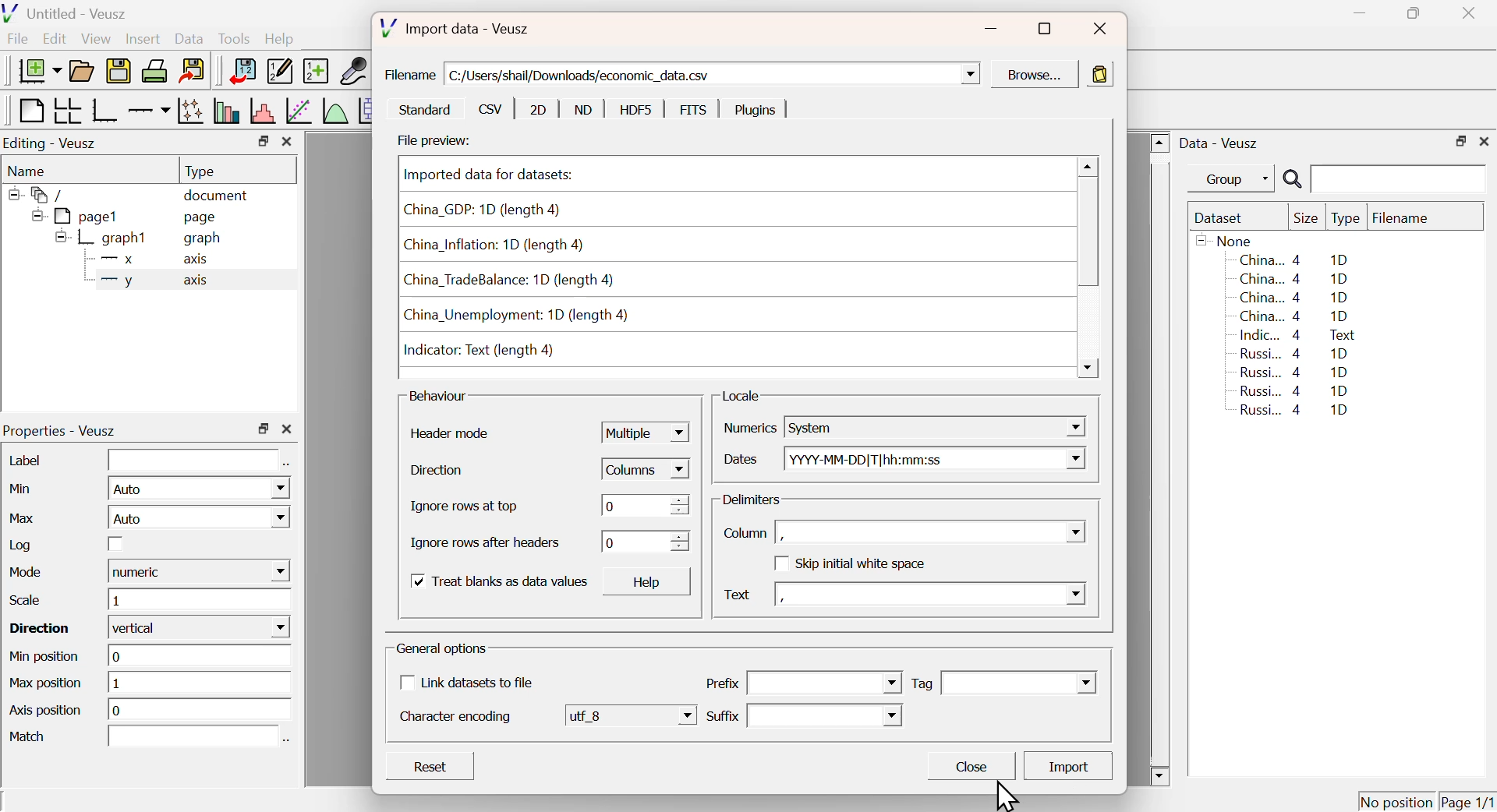 This screenshot has height=812, width=1497. I want to click on Restore Down, so click(264, 429).